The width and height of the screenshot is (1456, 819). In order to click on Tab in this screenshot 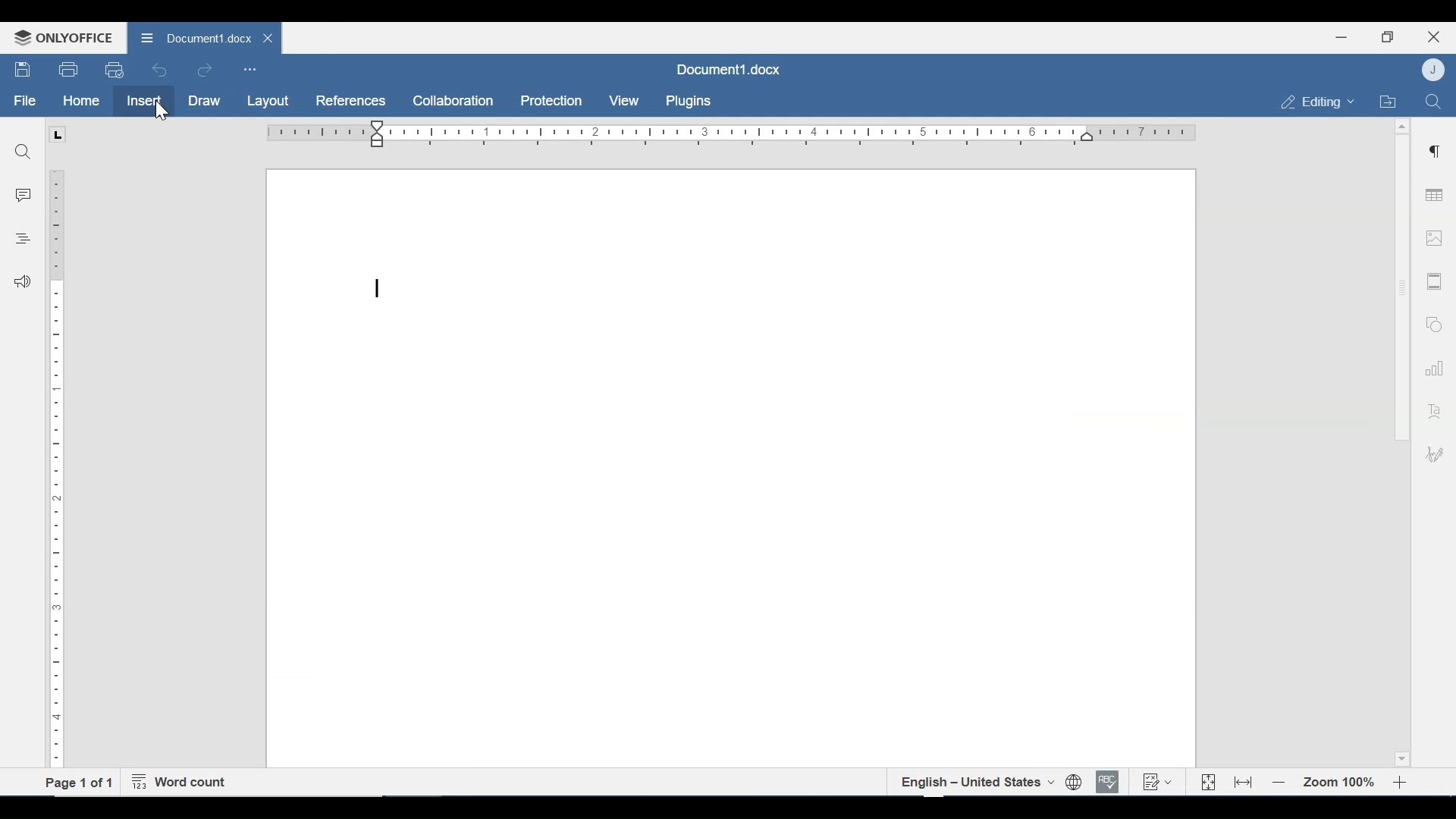, I will do `click(57, 134)`.